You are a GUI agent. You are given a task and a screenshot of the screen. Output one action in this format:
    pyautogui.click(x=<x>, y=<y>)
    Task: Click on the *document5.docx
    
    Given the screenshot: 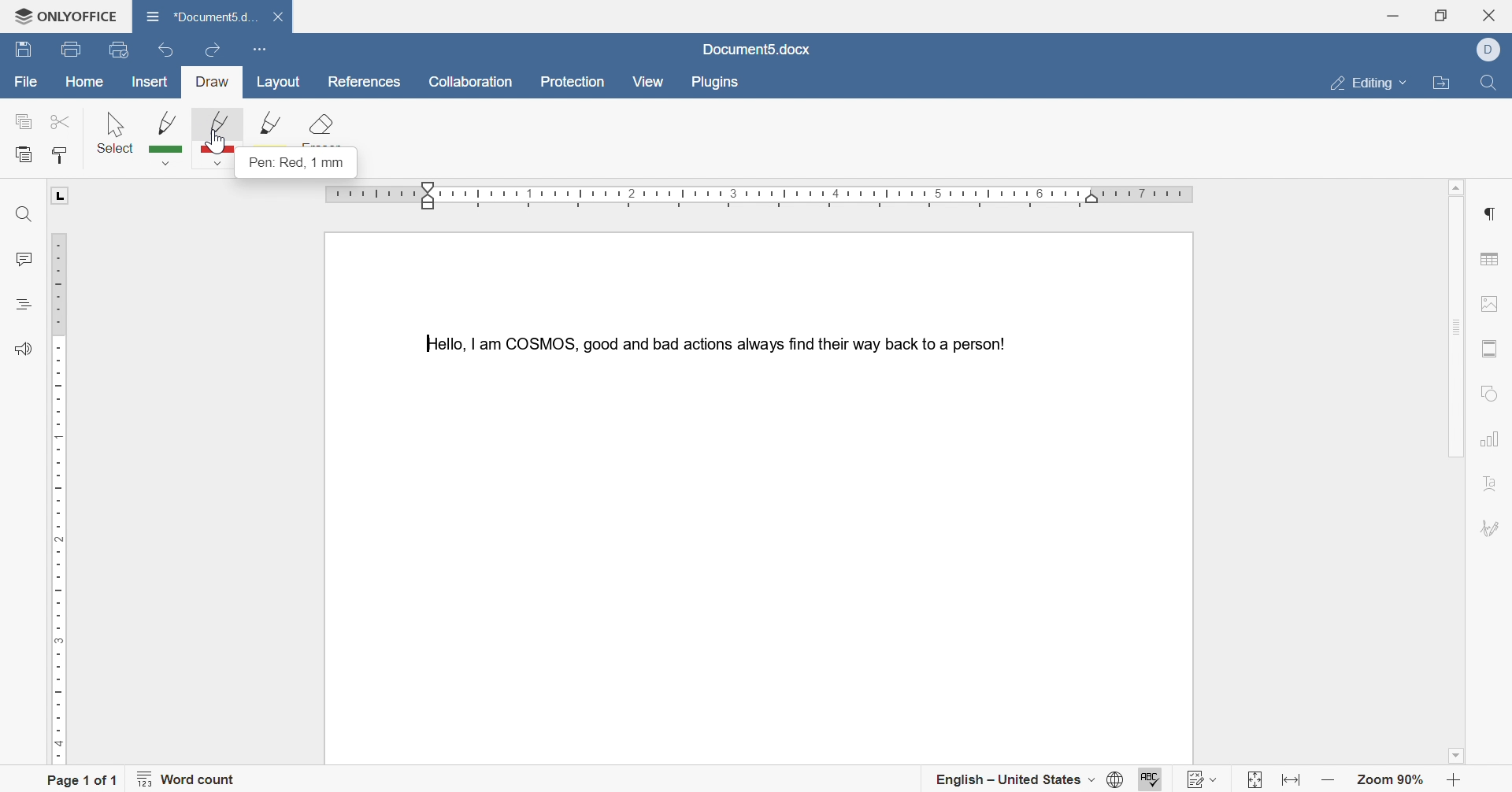 What is the action you would take?
    pyautogui.click(x=201, y=14)
    